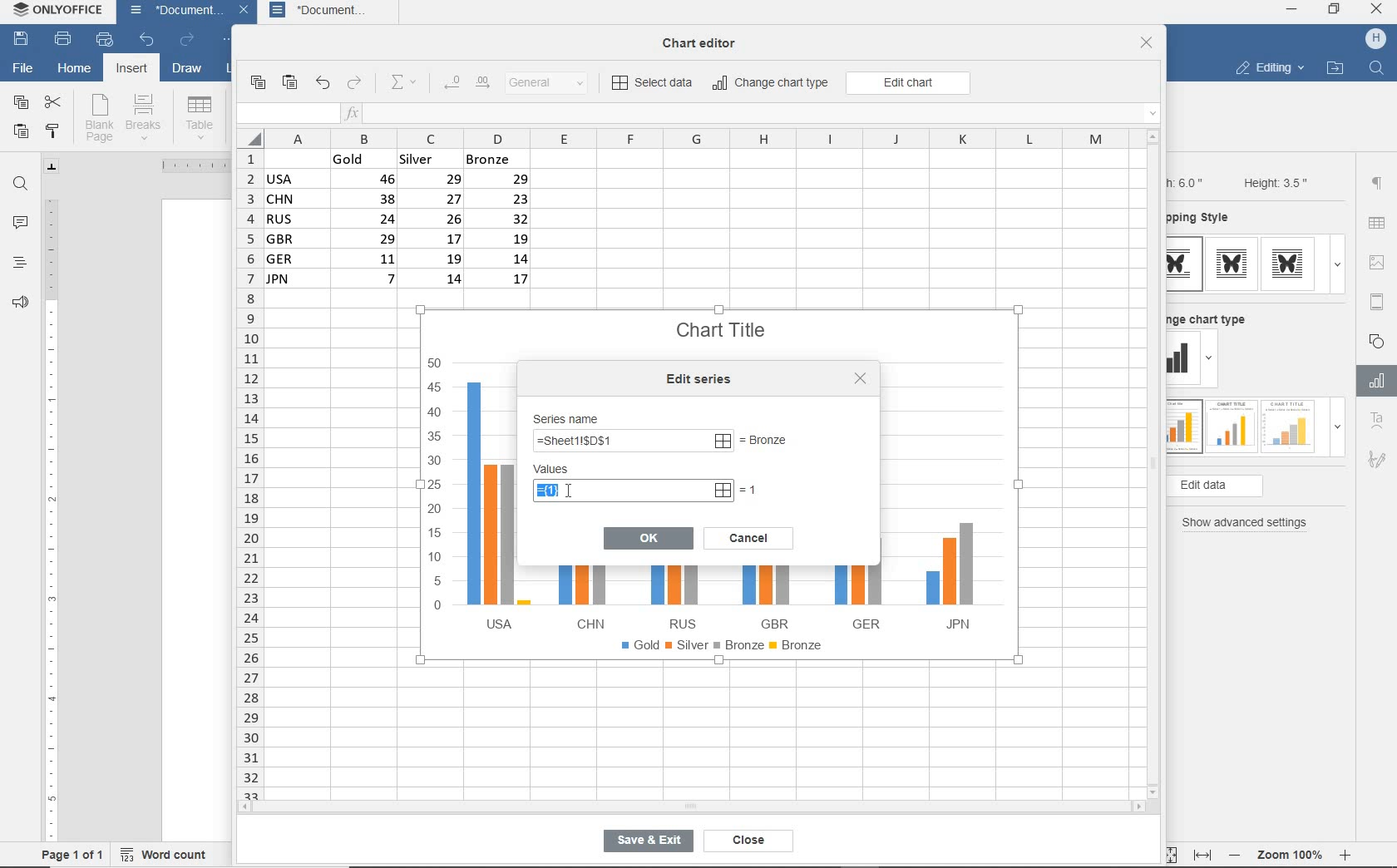 The height and width of the screenshot is (868, 1397). What do you see at coordinates (654, 84) in the screenshot?
I see `select data` at bounding box center [654, 84].